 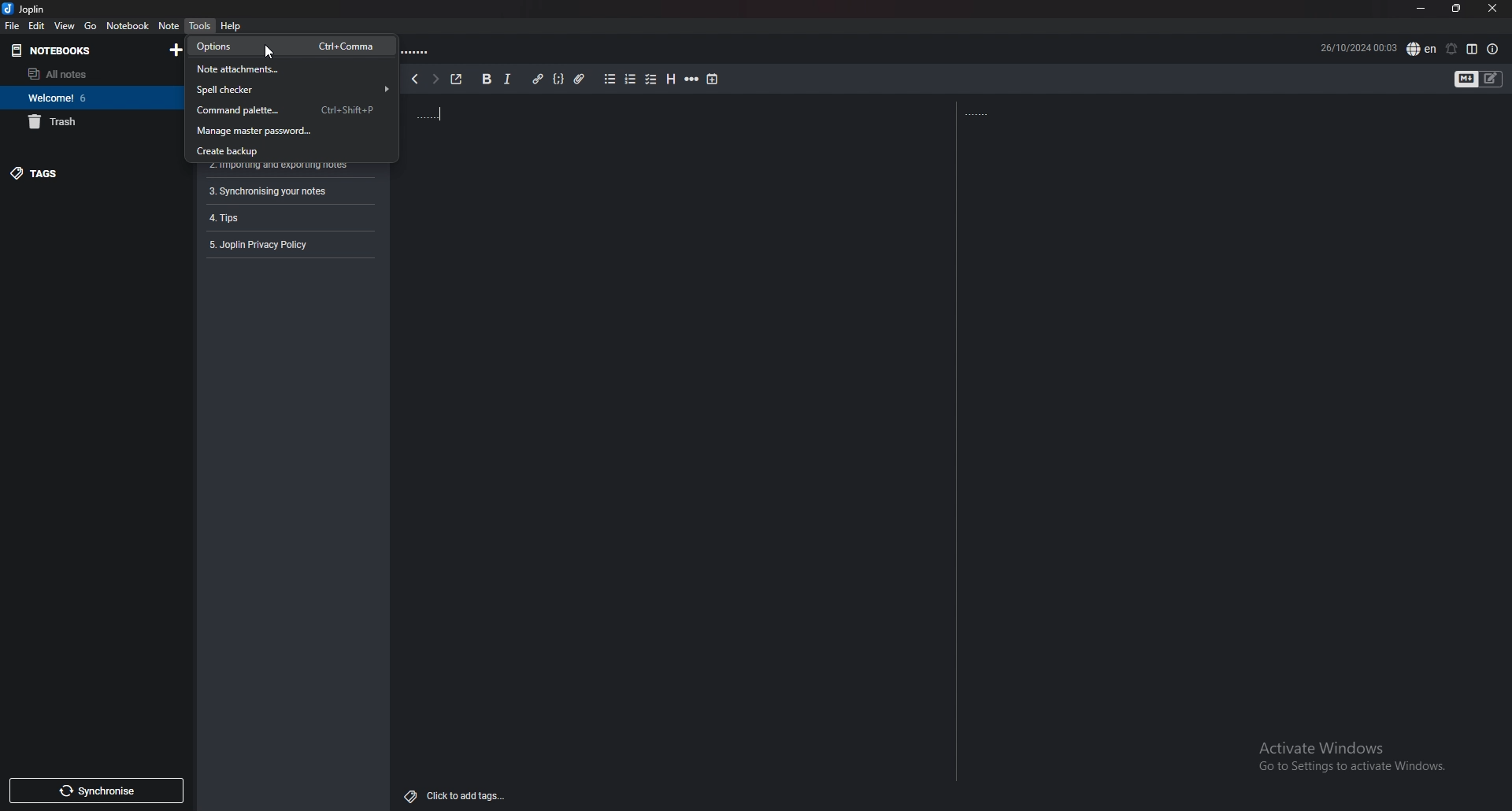 I want to click on welcome, so click(x=91, y=98).